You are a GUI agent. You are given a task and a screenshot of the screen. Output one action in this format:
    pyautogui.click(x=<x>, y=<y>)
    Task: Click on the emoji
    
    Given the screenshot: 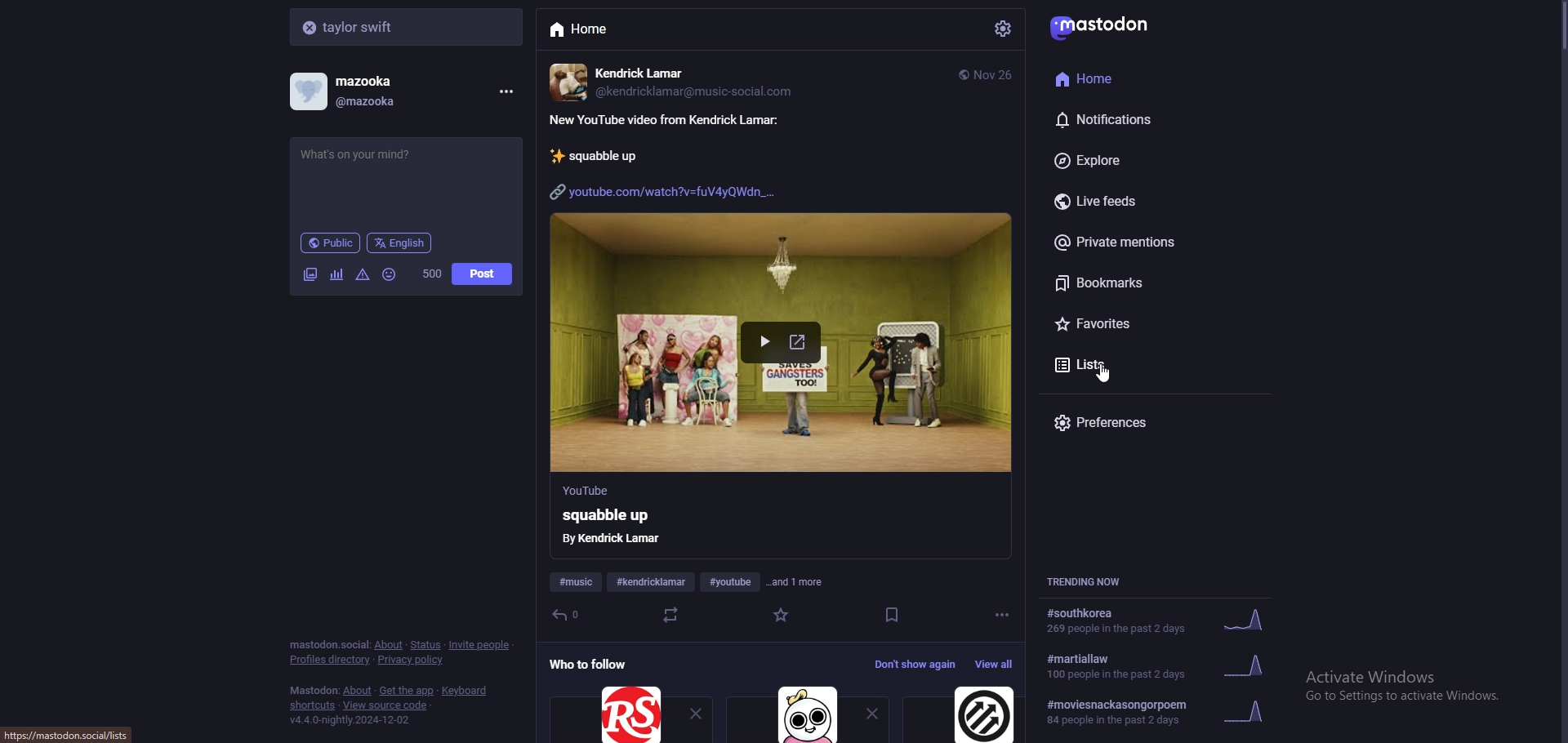 What is the action you would take?
    pyautogui.click(x=390, y=274)
    